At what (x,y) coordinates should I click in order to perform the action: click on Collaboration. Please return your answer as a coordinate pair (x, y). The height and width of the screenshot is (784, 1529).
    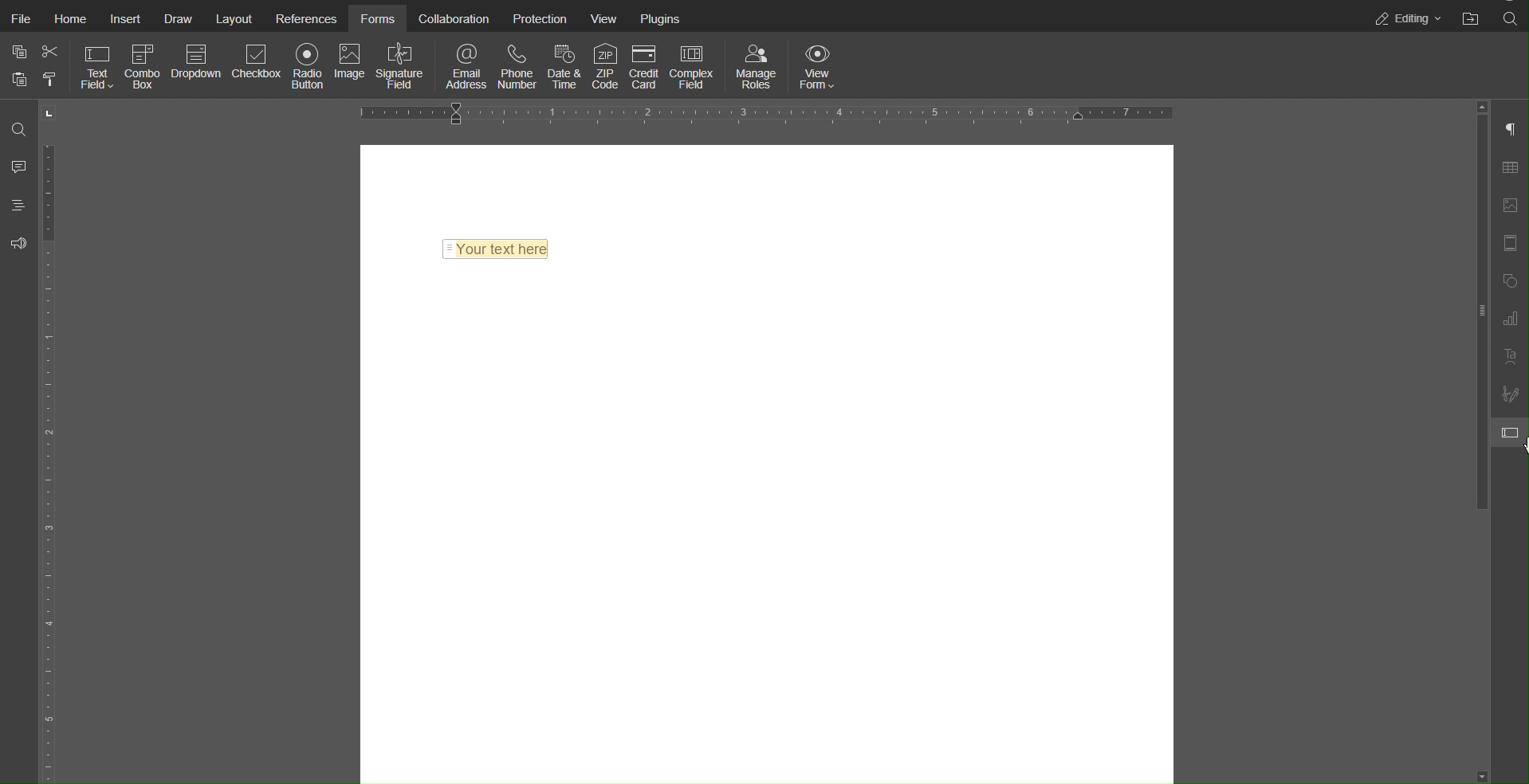
    Looking at the image, I should click on (454, 20).